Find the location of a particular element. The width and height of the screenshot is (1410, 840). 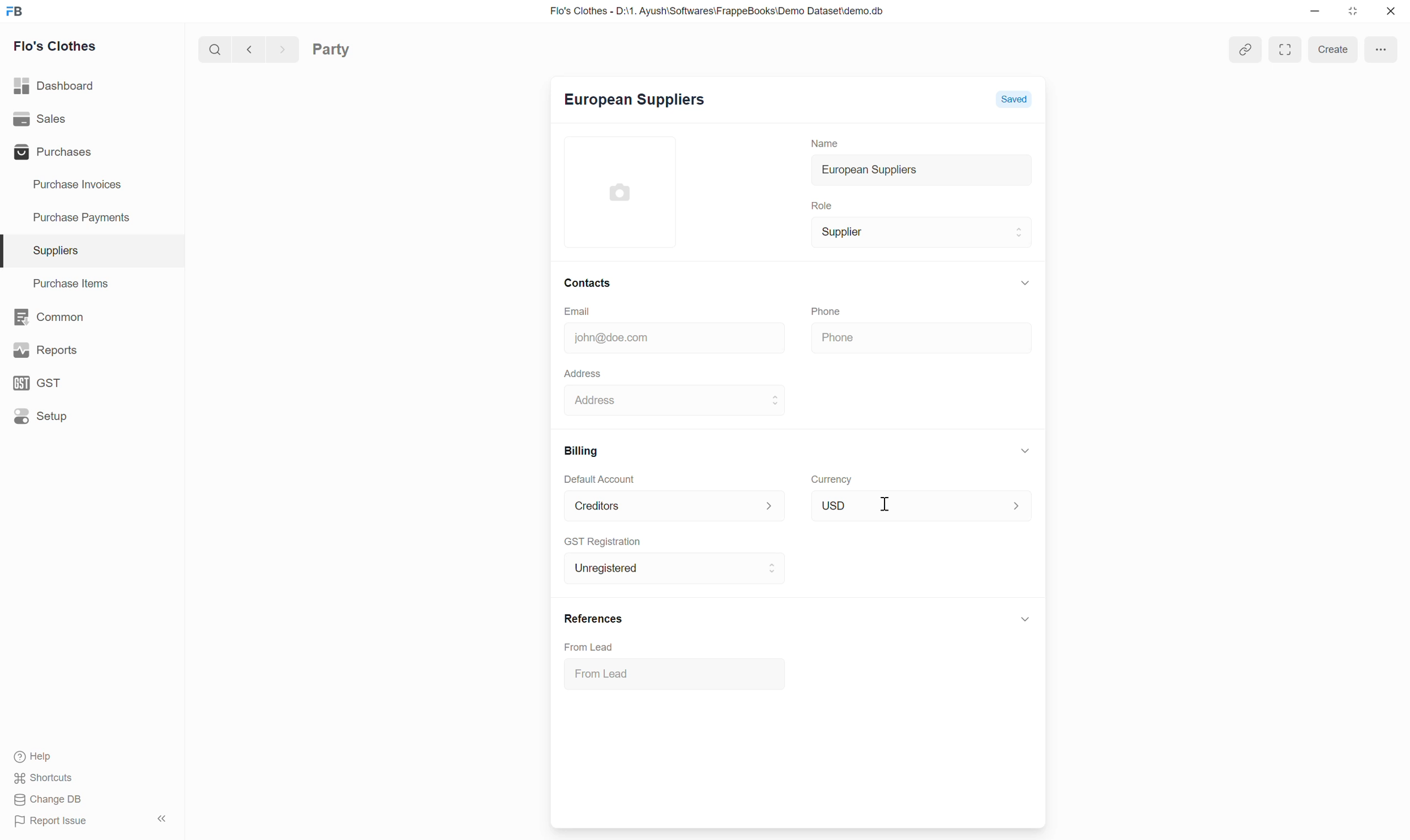

Billing is located at coordinates (576, 449).